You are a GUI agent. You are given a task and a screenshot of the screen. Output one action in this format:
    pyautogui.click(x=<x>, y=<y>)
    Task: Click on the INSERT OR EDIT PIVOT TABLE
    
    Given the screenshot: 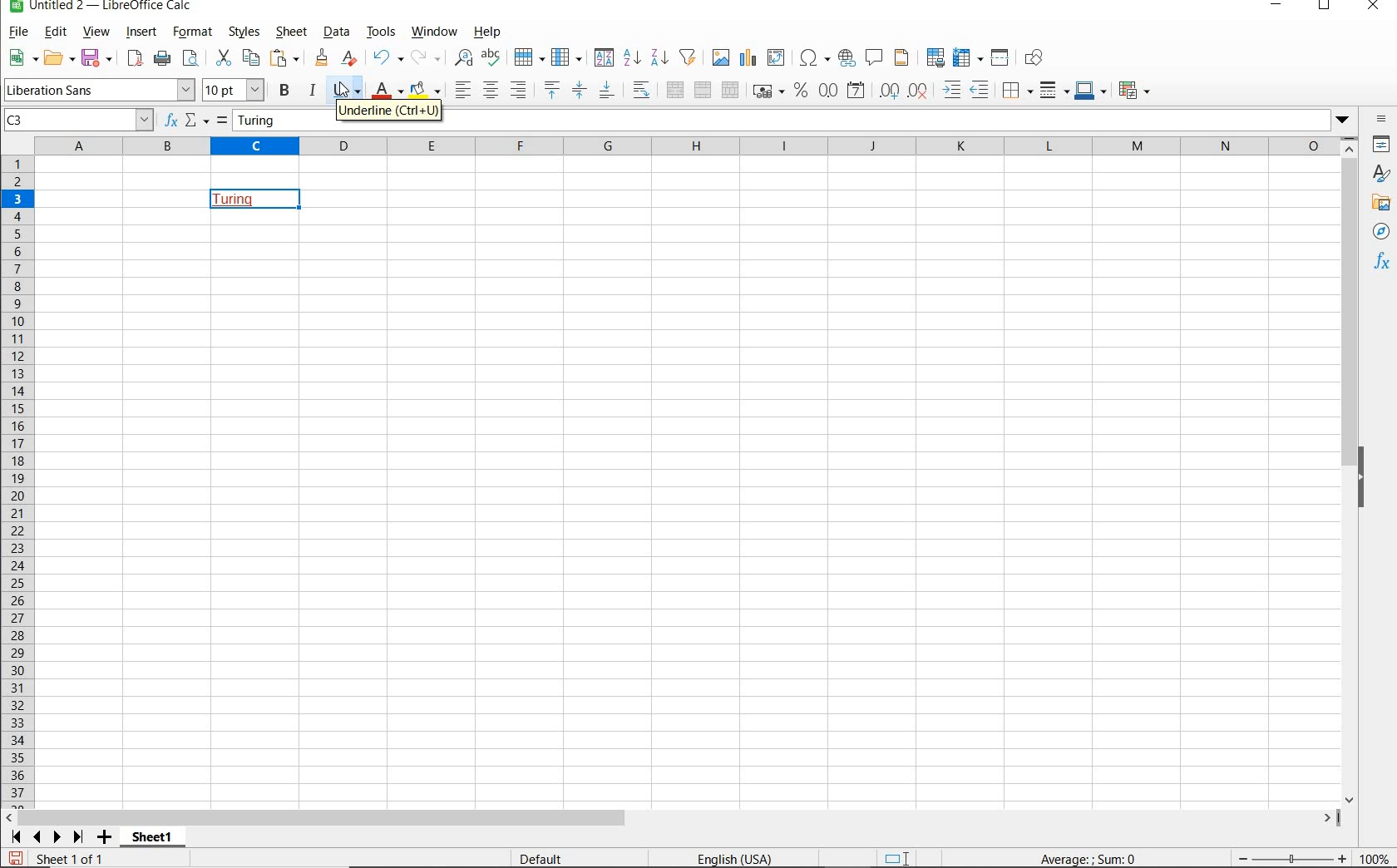 What is the action you would take?
    pyautogui.click(x=776, y=57)
    